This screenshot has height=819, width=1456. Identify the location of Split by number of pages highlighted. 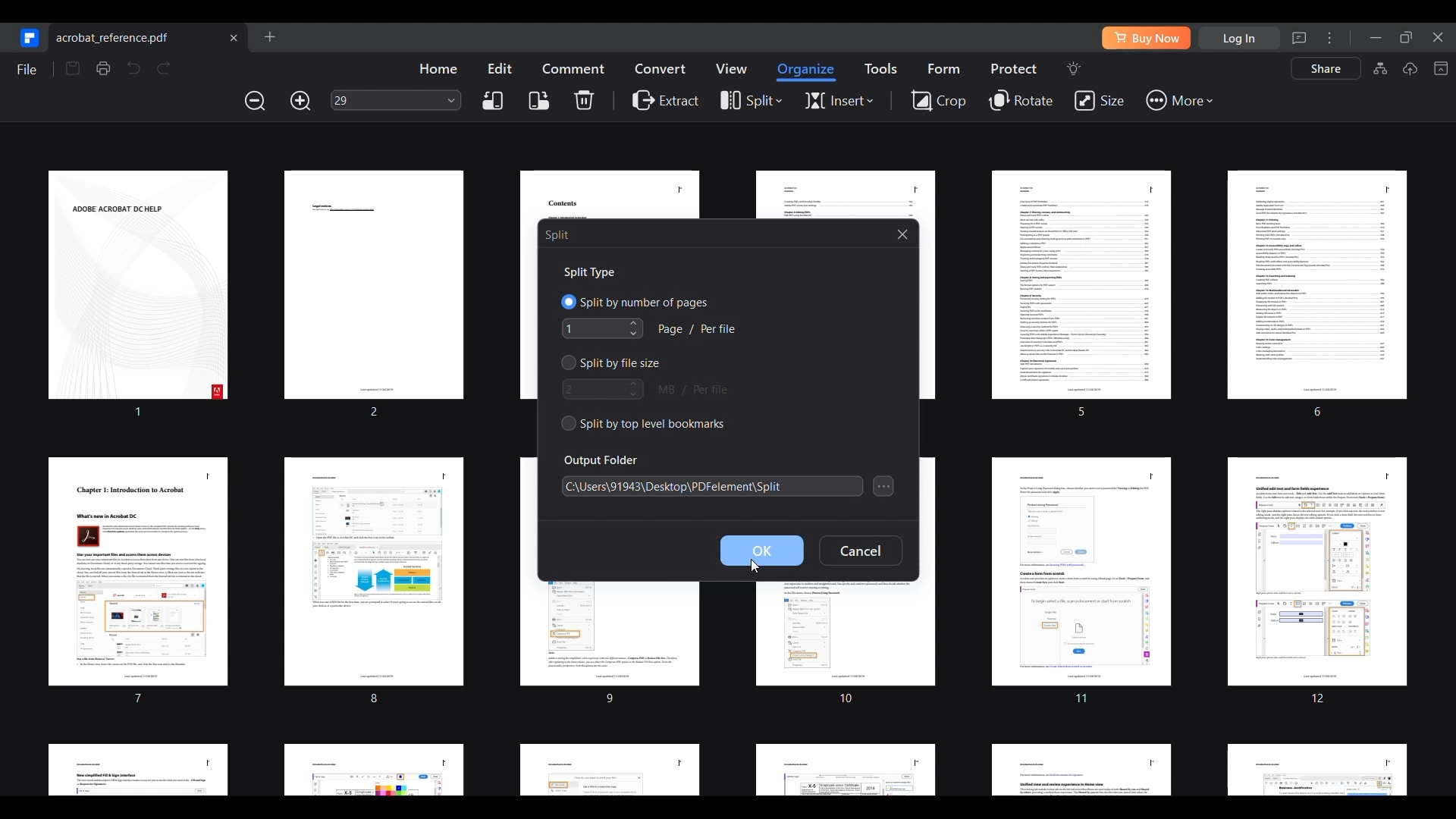
(567, 302).